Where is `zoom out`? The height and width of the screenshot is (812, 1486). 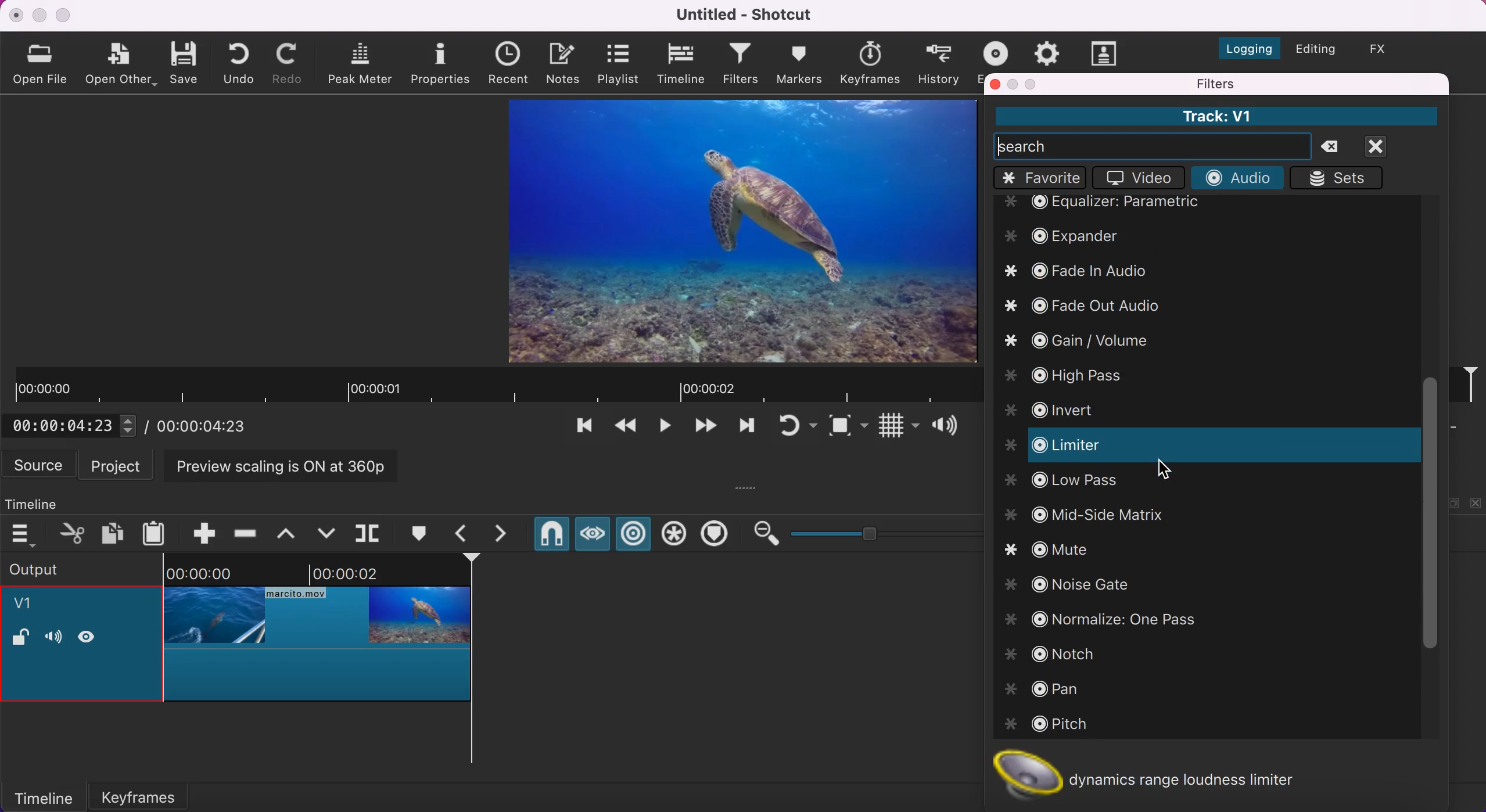 zoom out is located at coordinates (765, 534).